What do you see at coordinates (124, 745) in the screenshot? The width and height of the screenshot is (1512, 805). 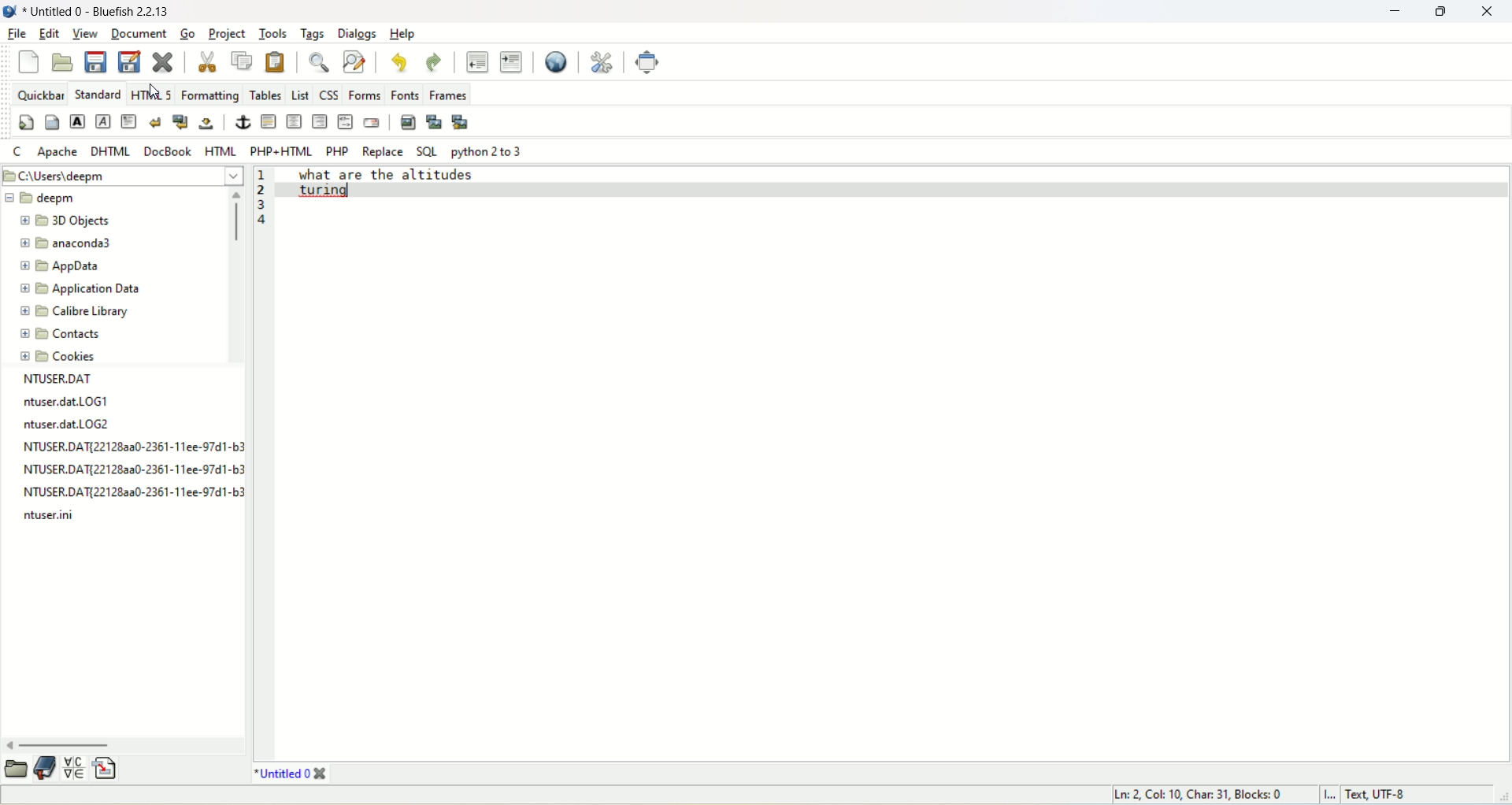 I see `horizontal scroll bar` at bounding box center [124, 745].